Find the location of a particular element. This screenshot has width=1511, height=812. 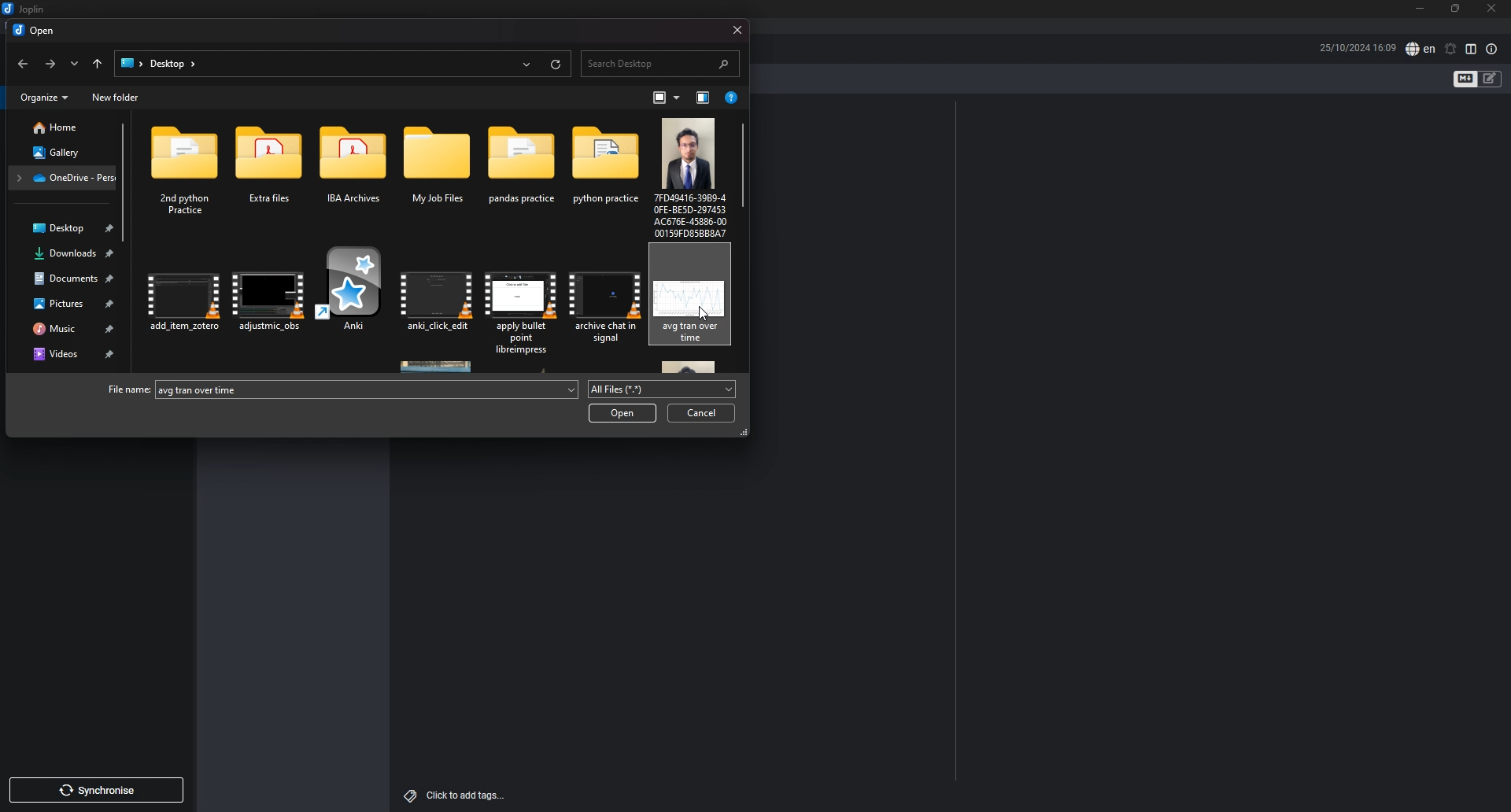

folder is located at coordinates (131, 62).